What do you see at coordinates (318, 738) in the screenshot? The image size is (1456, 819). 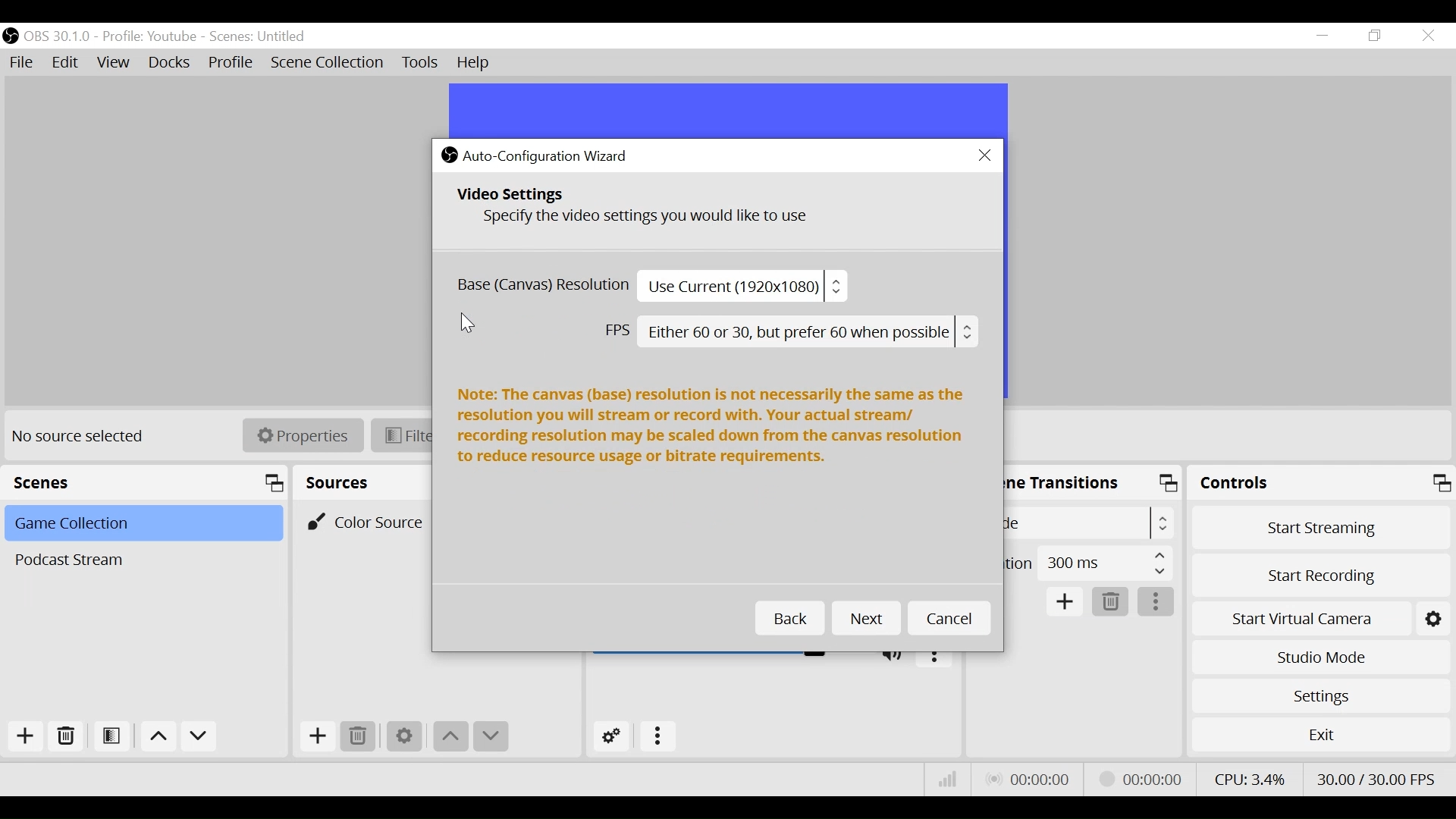 I see `Add ` at bounding box center [318, 738].